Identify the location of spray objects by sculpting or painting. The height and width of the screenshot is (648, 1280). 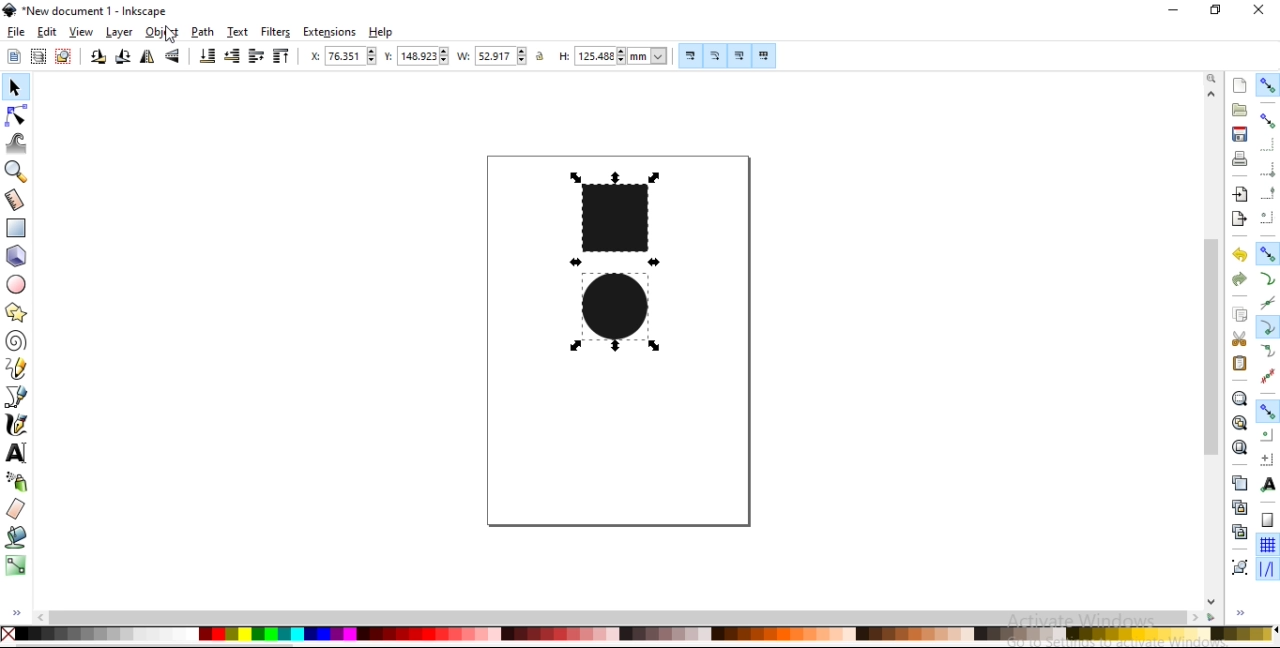
(16, 482).